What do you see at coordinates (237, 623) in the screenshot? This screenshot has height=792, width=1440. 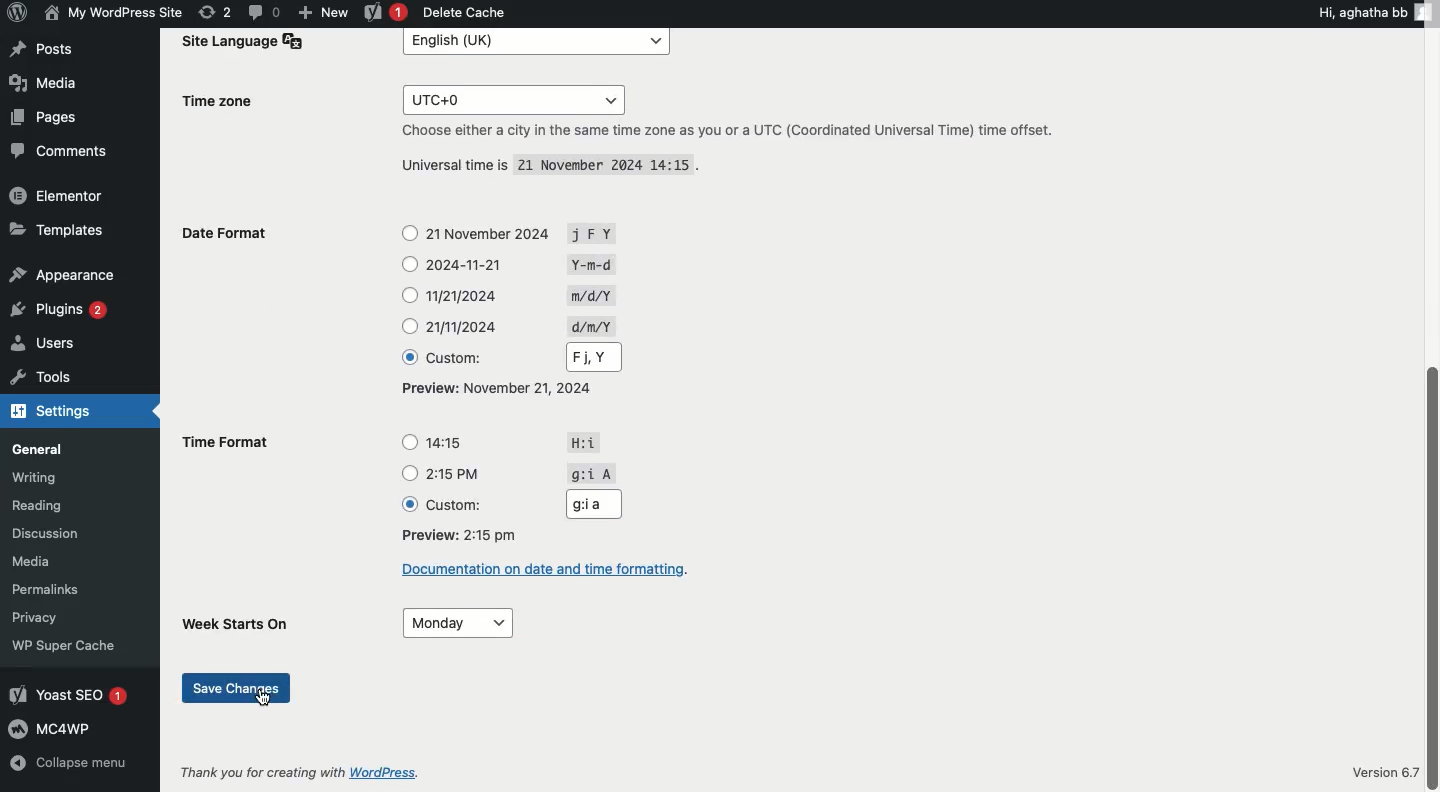 I see `Week starts on` at bounding box center [237, 623].